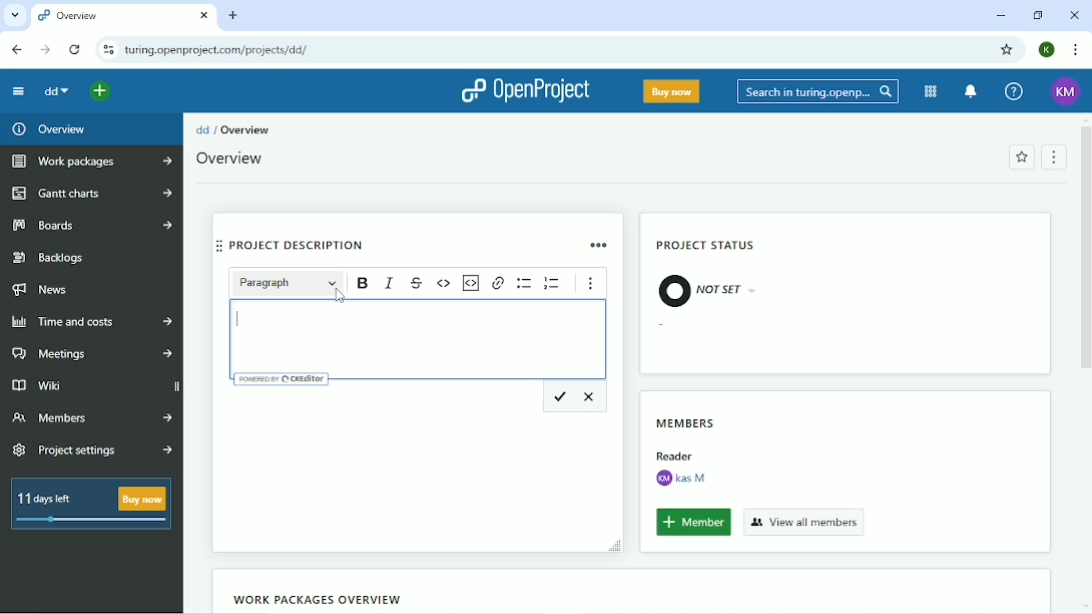  What do you see at coordinates (1046, 49) in the screenshot?
I see `Account` at bounding box center [1046, 49].